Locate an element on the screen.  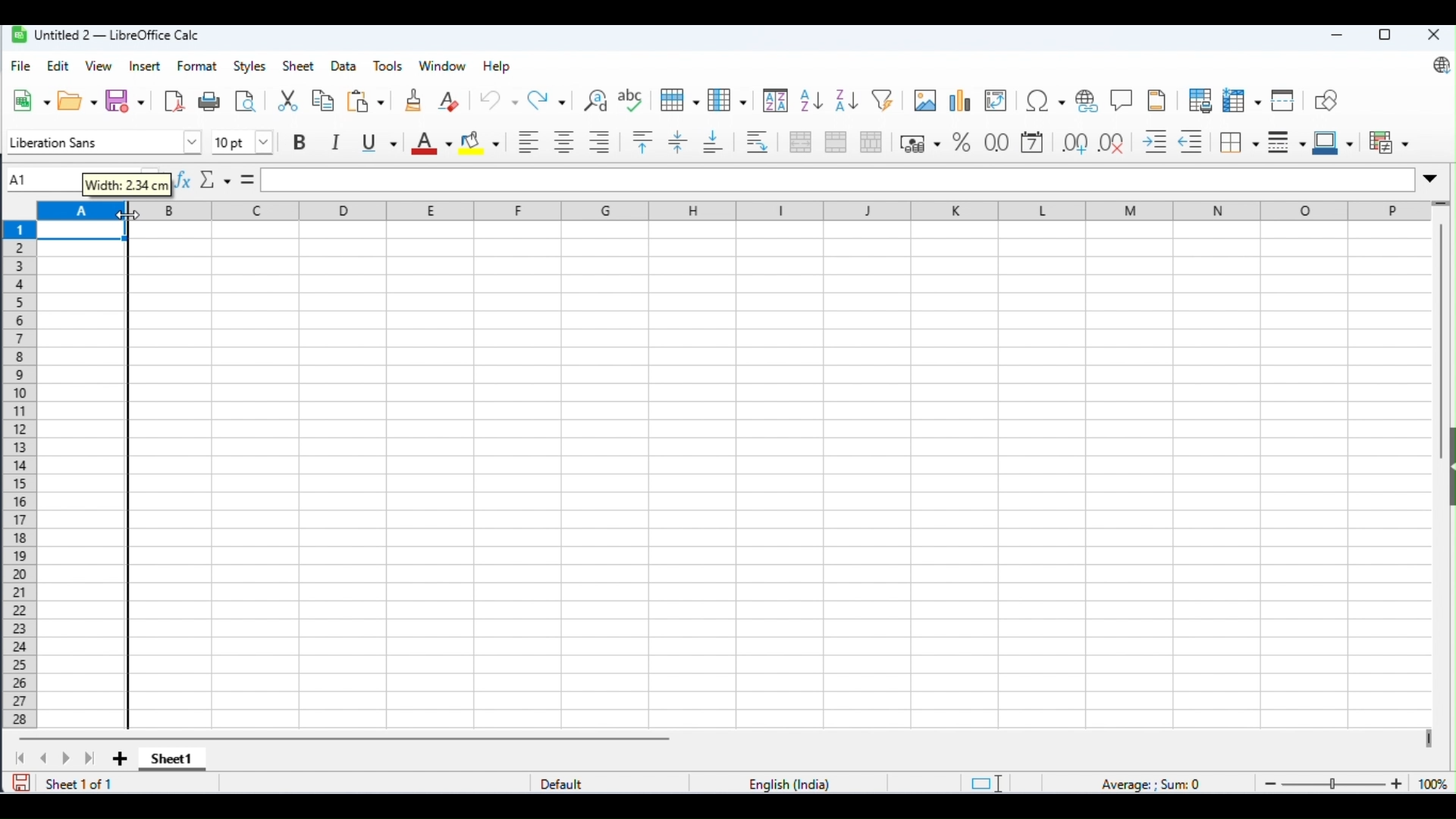
align center is located at coordinates (564, 141).